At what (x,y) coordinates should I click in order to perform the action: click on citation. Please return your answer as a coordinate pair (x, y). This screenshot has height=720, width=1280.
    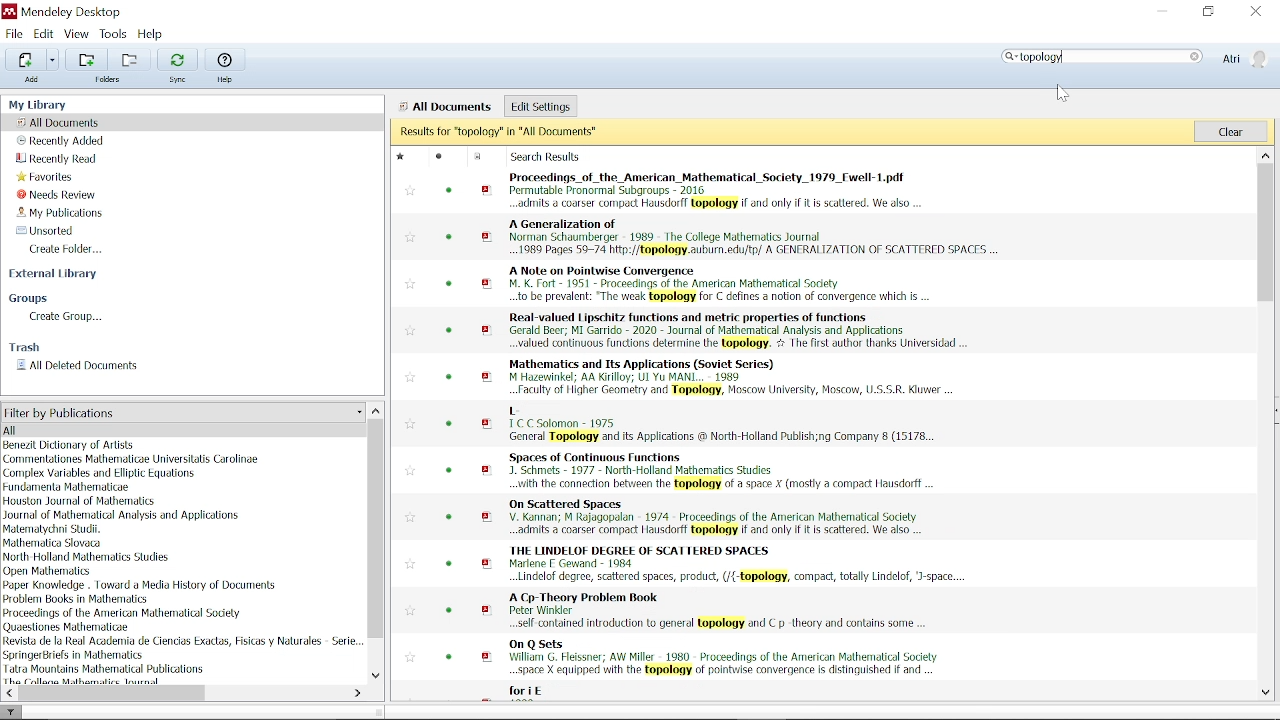
    Looking at the image, I should click on (536, 692).